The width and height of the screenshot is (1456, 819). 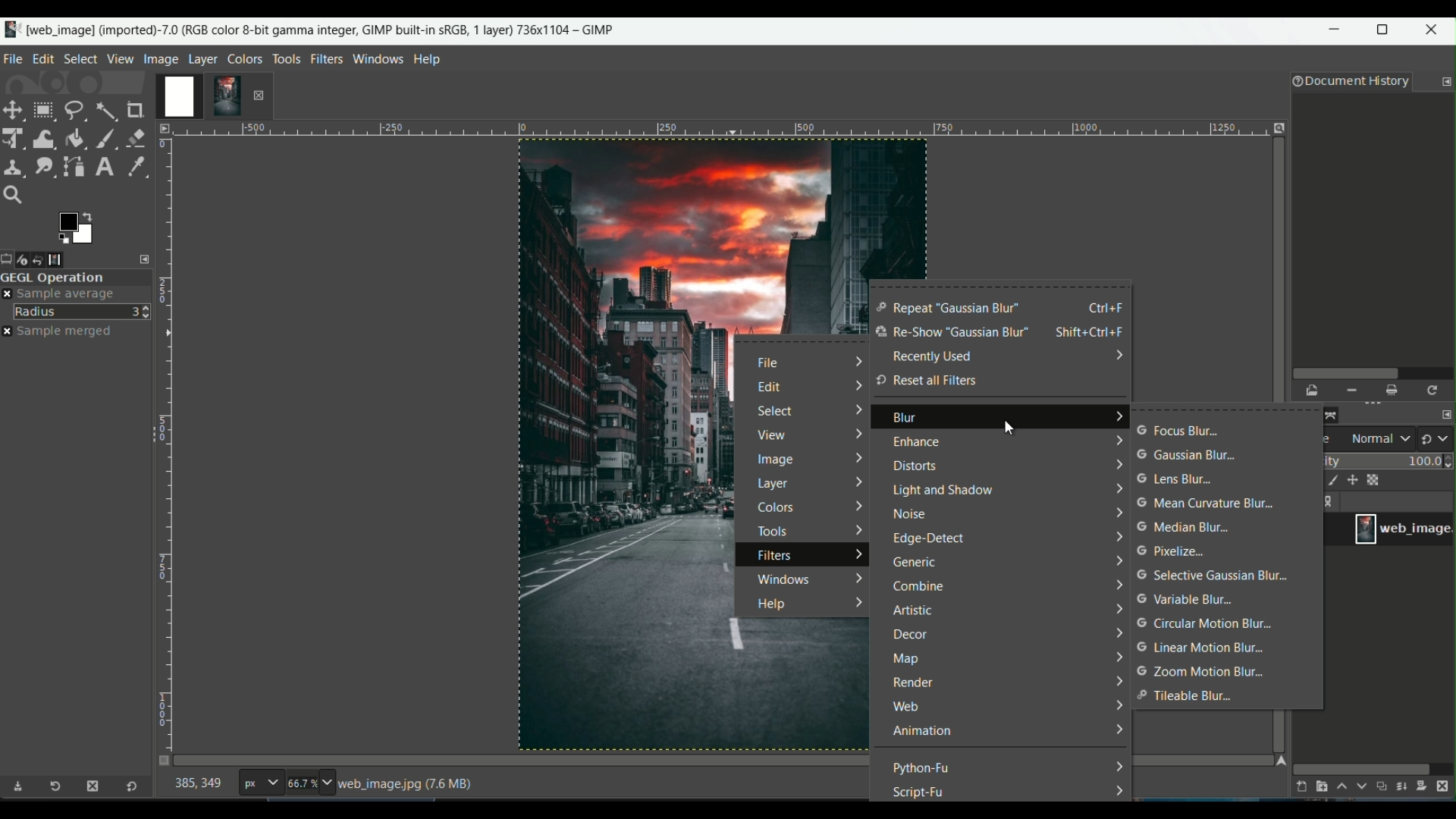 What do you see at coordinates (776, 557) in the screenshot?
I see `filters` at bounding box center [776, 557].